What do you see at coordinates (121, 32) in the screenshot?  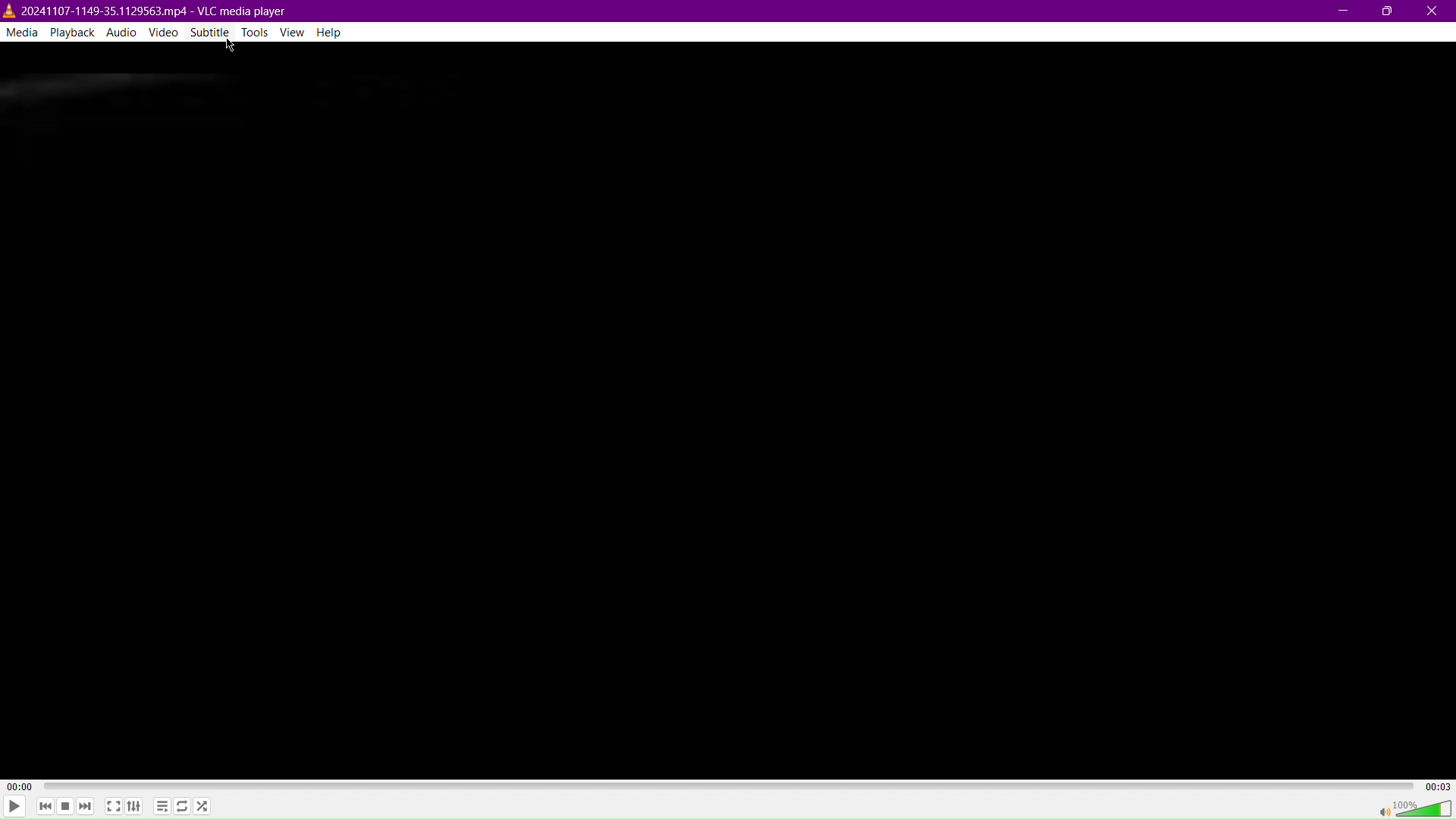 I see `Audio` at bounding box center [121, 32].